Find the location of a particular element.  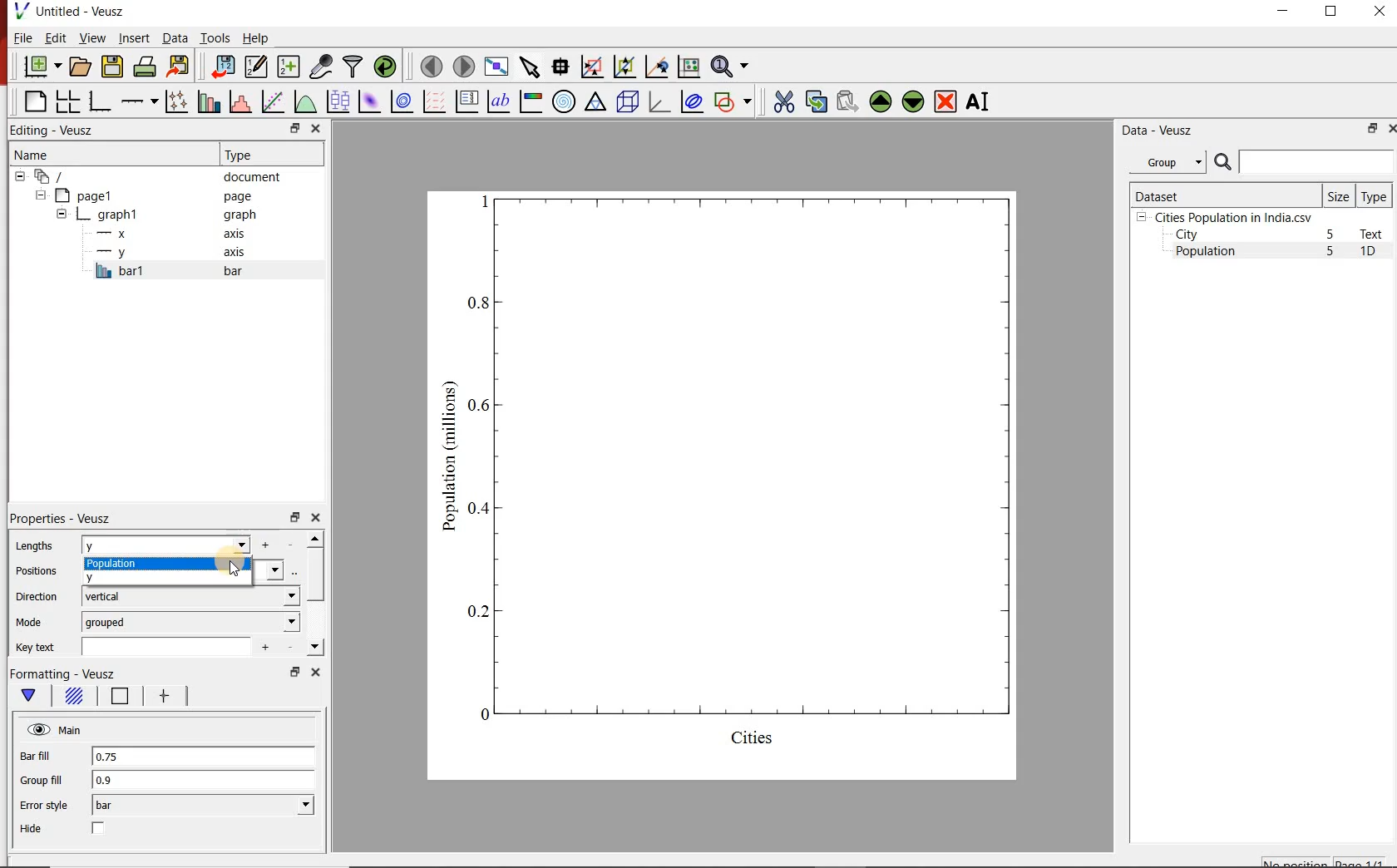

plot a 2d dataset as contours is located at coordinates (400, 101).